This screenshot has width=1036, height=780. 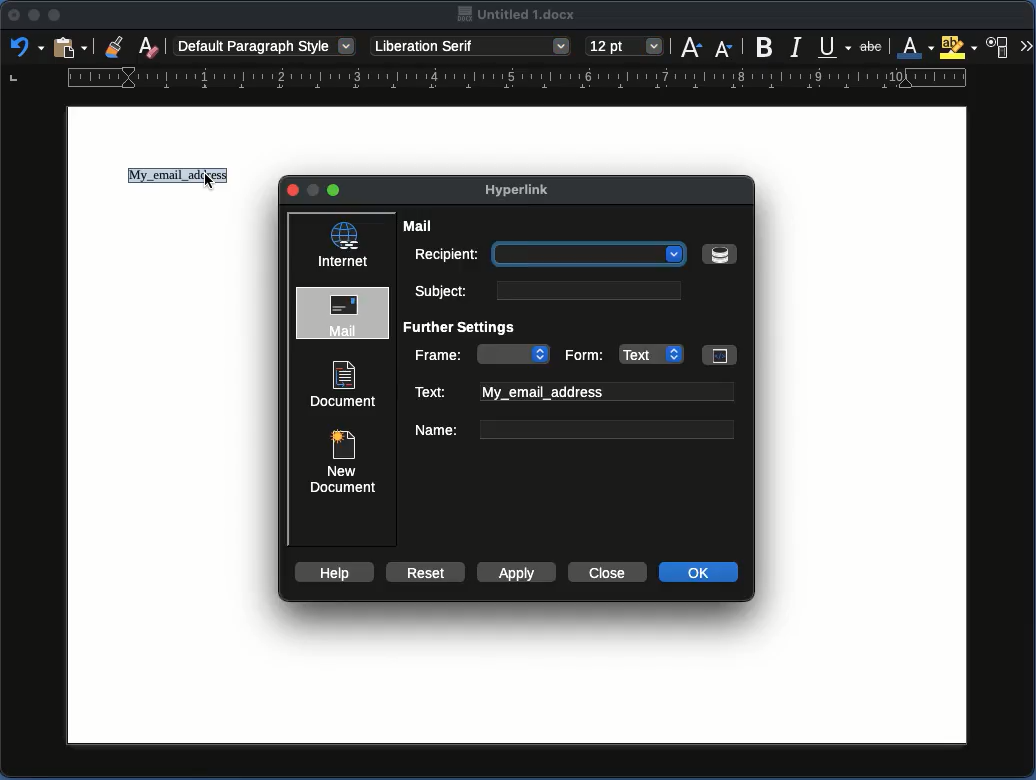 What do you see at coordinates (719, 254) in the screenshot?
I see `Symbol` at bounding box center [719, 254].